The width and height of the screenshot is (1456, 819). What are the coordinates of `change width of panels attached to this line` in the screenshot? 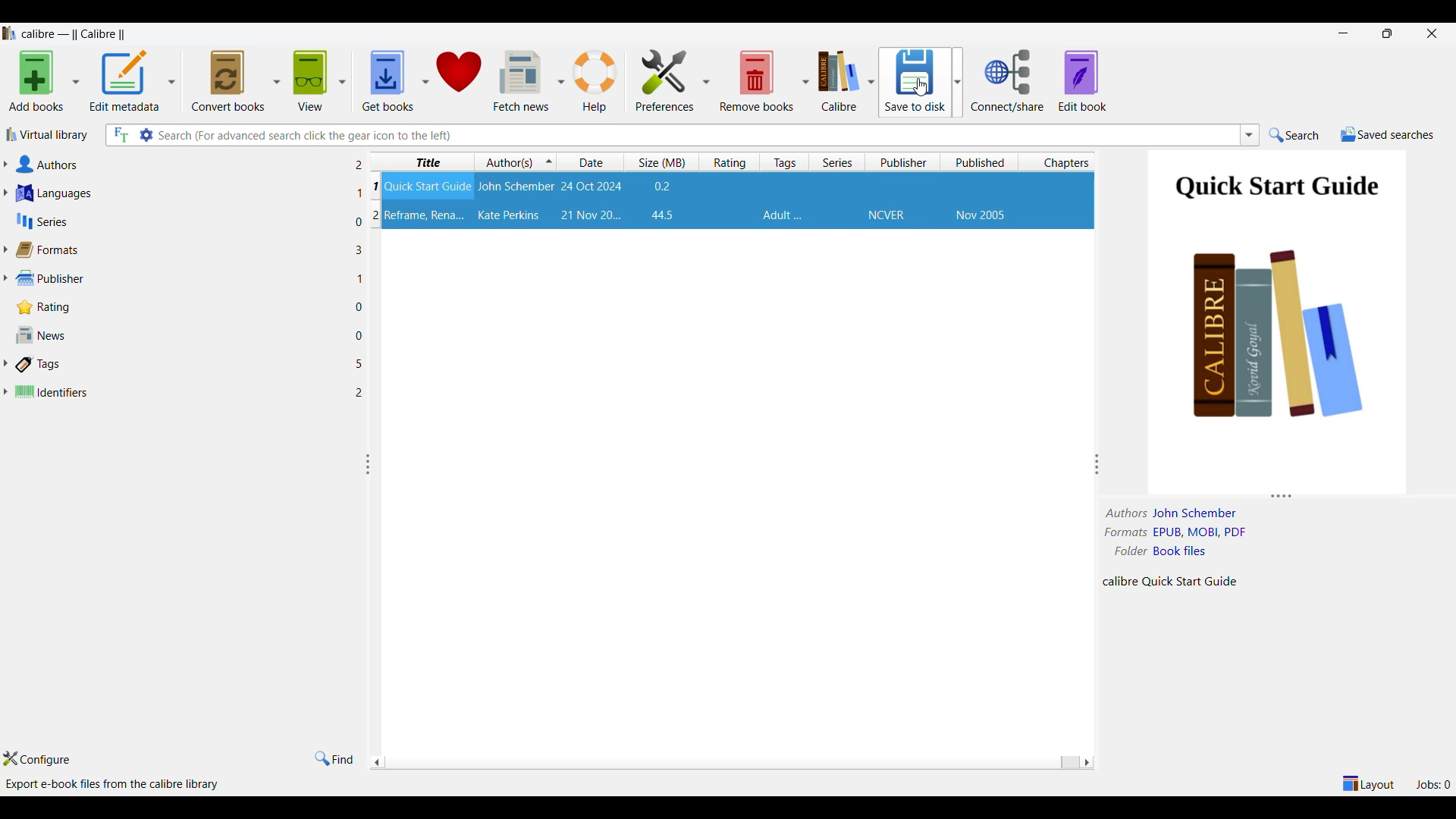 It's located at (367, 466).